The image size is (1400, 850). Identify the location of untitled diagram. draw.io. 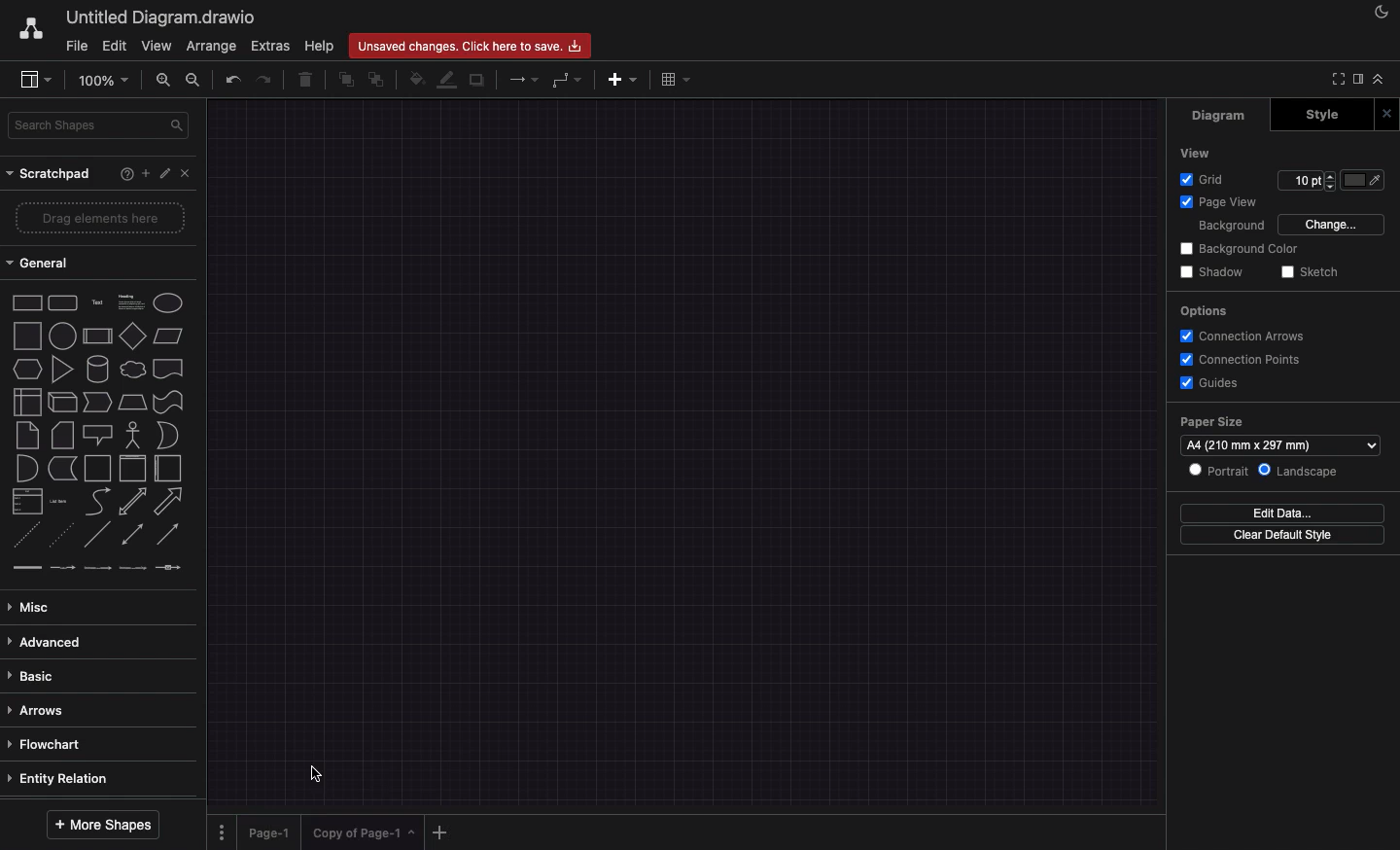
(160, 18).